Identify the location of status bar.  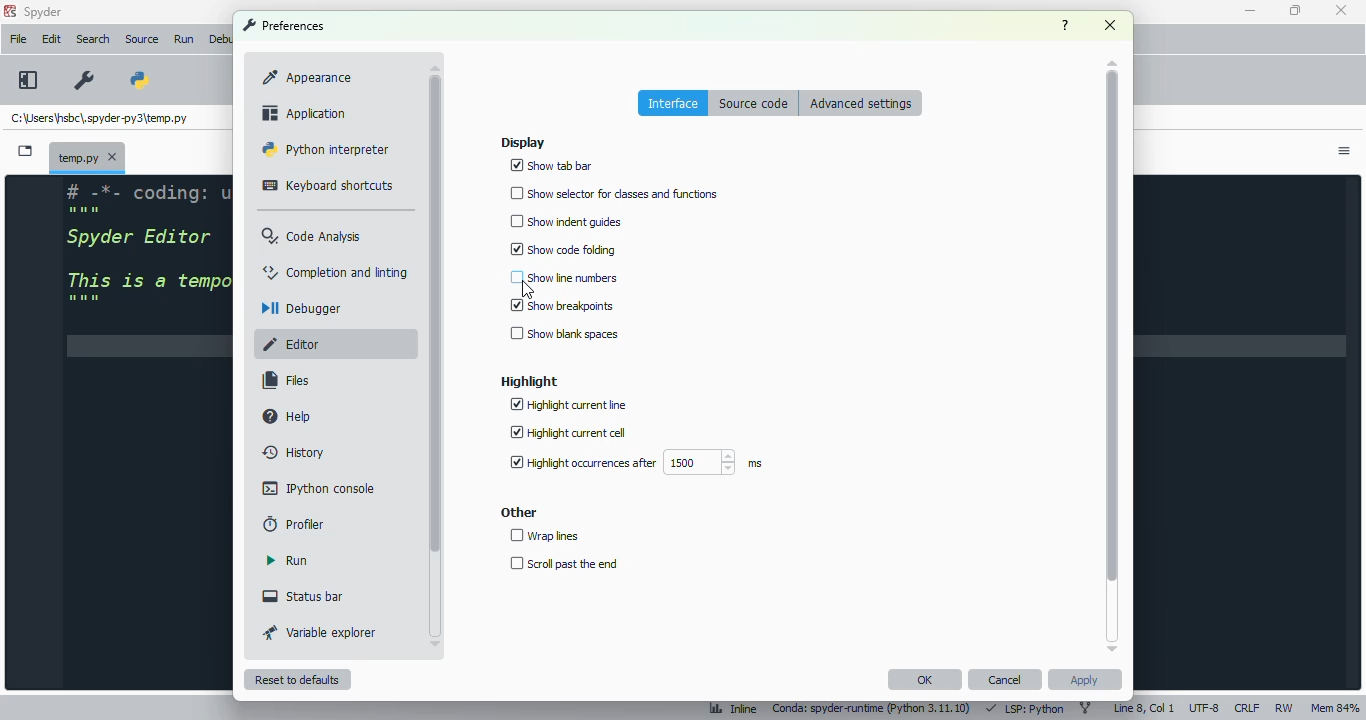
(304, 596).